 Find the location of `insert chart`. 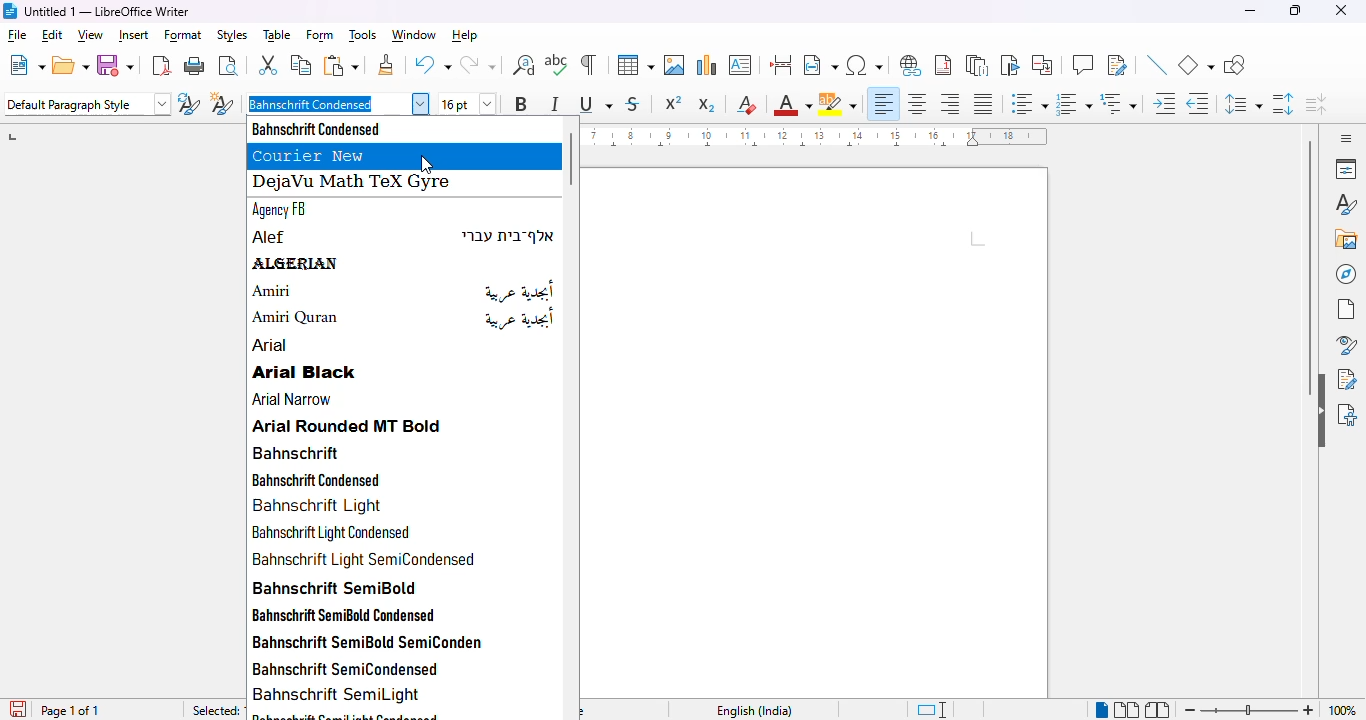

insert chart is located at coordinates (707, 64).